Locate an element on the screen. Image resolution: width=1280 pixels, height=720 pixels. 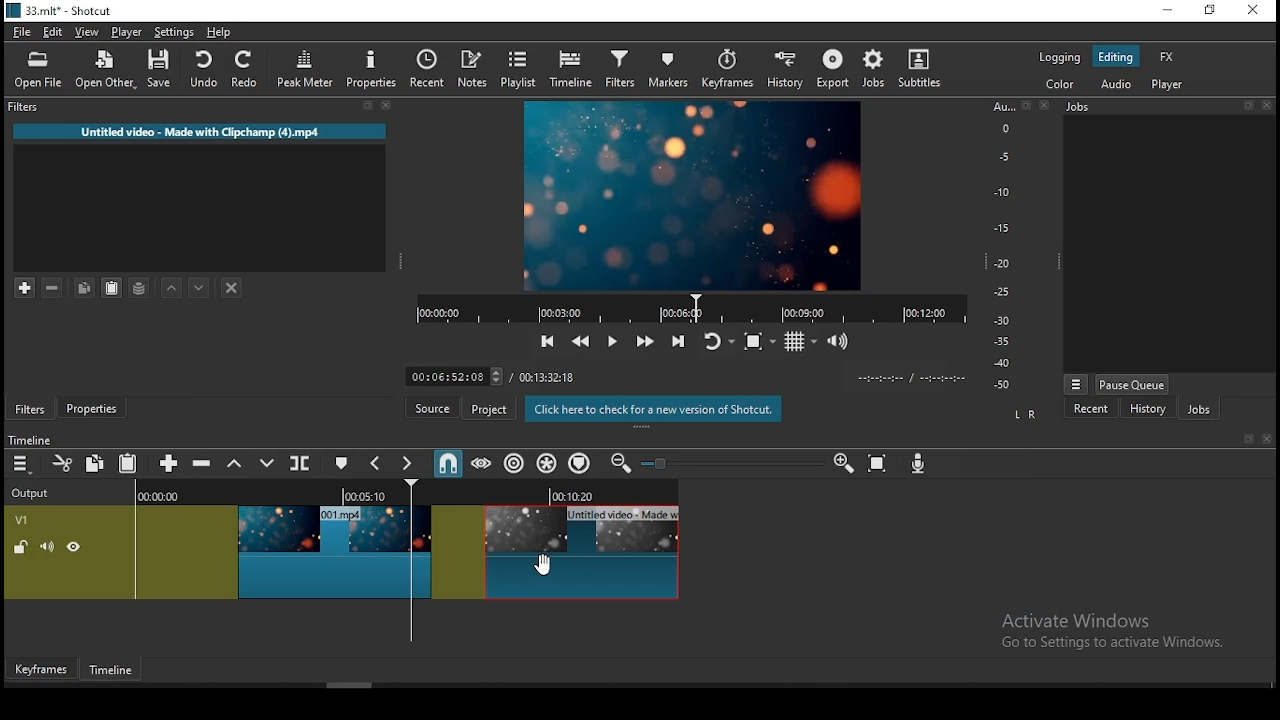
history is located at coordinates (782, 67).